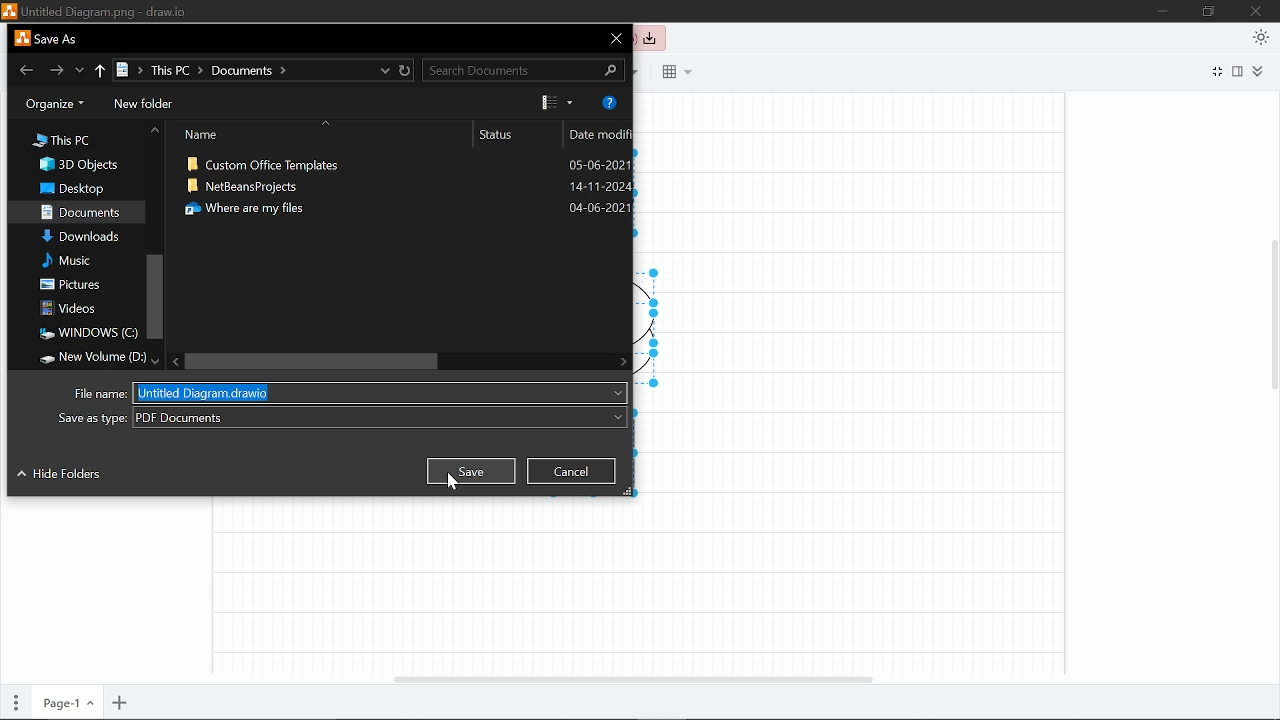 Image resolution: width=1280 pixels, height=720 pixels. What do you see at coordinates (572, 470) in the screenshot?
I see `Cancel` at bounding box center [572, 470].